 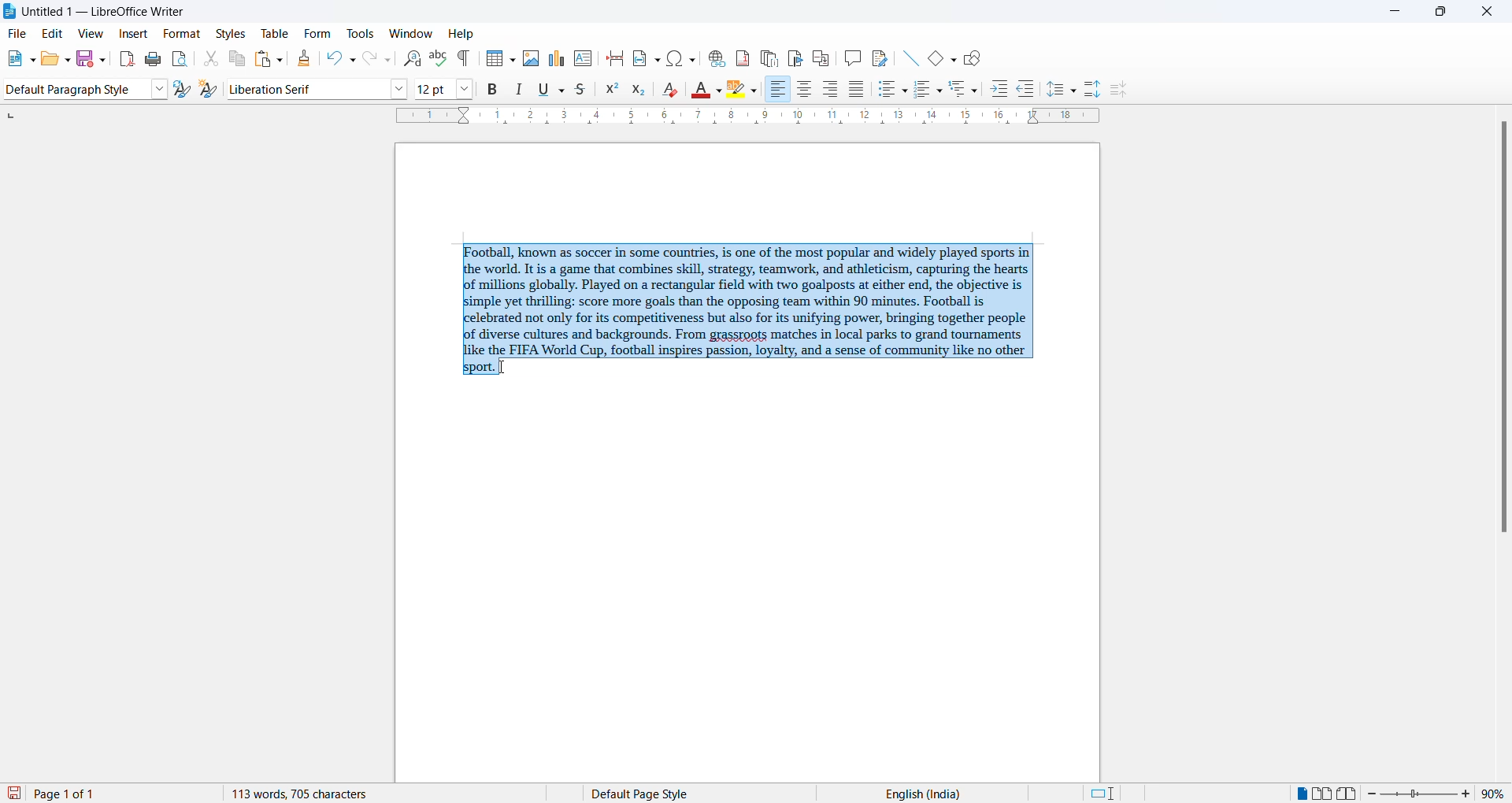 What do you see at coordinates (1373, 794) in the screenshot?
I see `decrease zoom` at bounding box center [1373, 794].